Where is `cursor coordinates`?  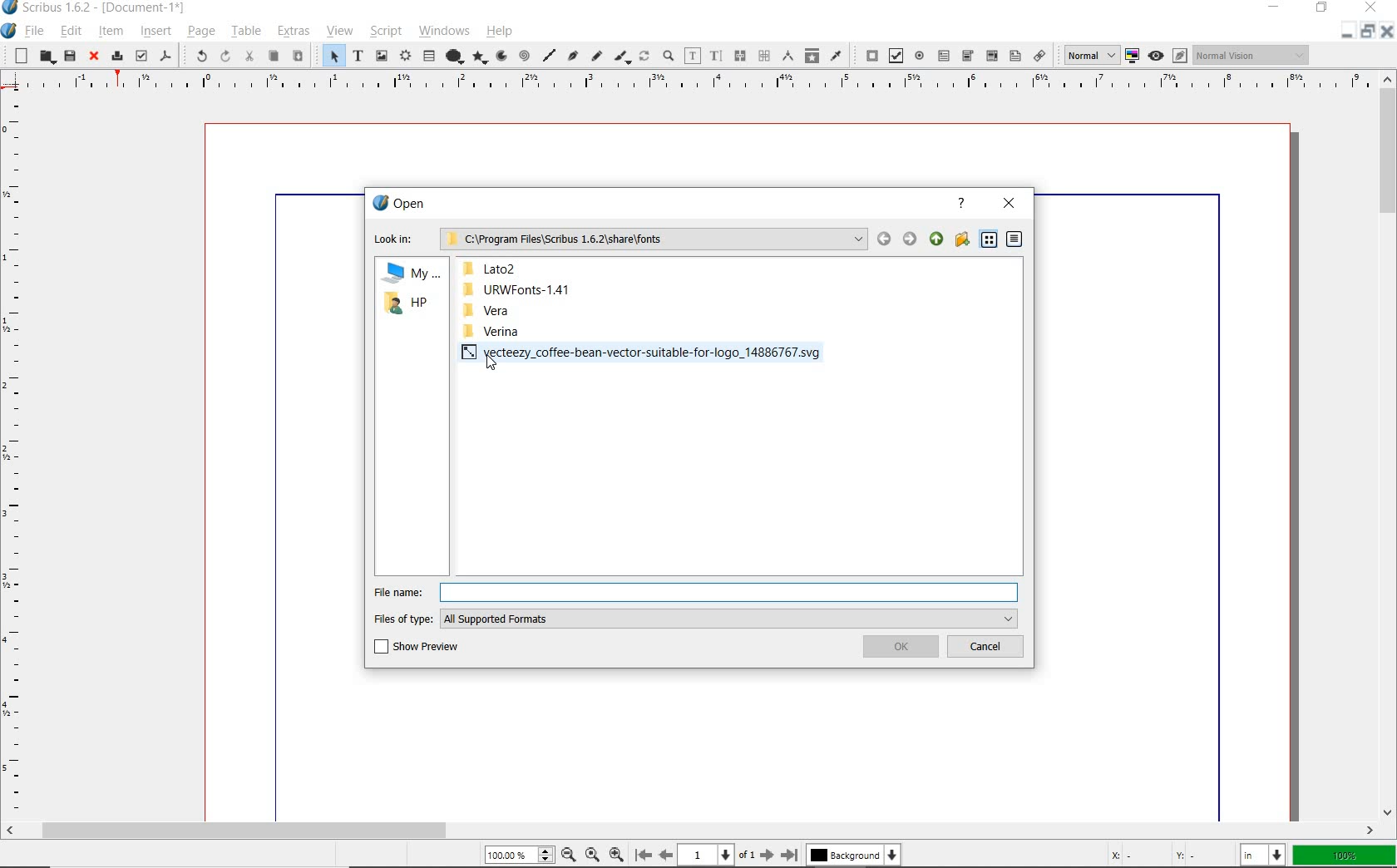
cursor coordinates is located at coordinates (1168, 856).